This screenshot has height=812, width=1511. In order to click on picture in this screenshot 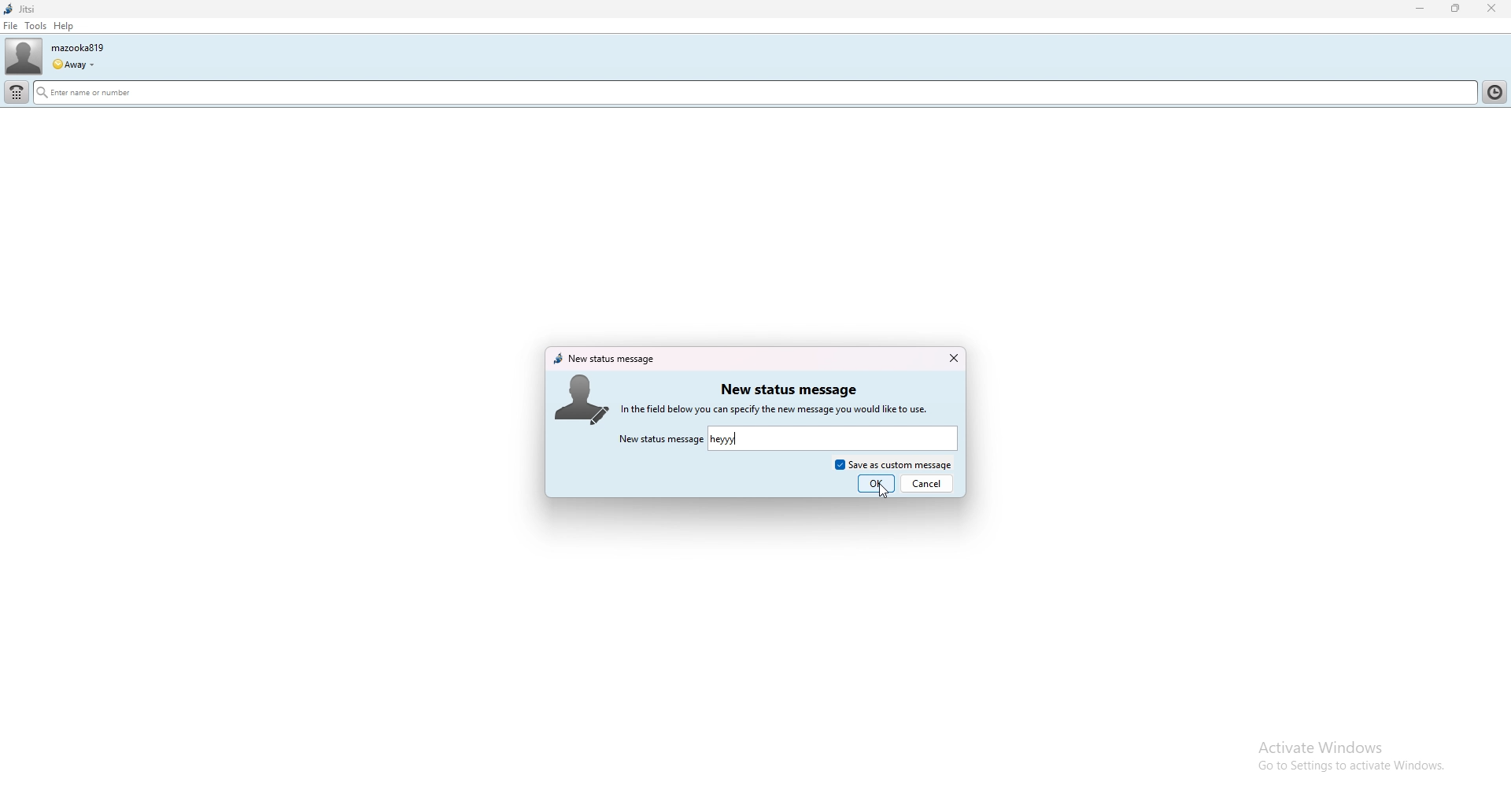, I will do `click(581, 398)`.